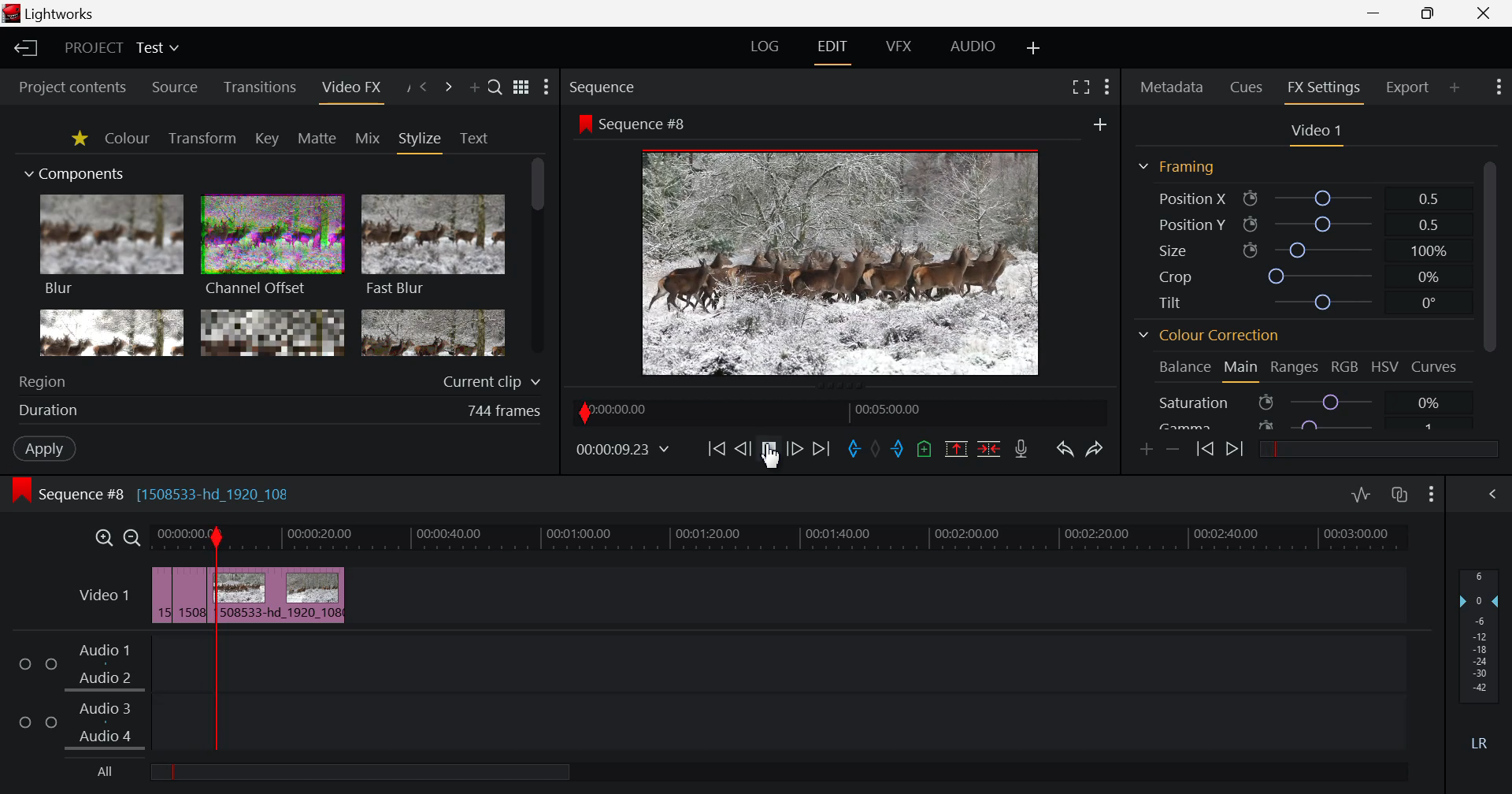 Image resolution: width=1512 pixels, height=794 pixels. Describe the element at coordinates (1296, 368) in the screenshot. I see `Ranges` at that location.